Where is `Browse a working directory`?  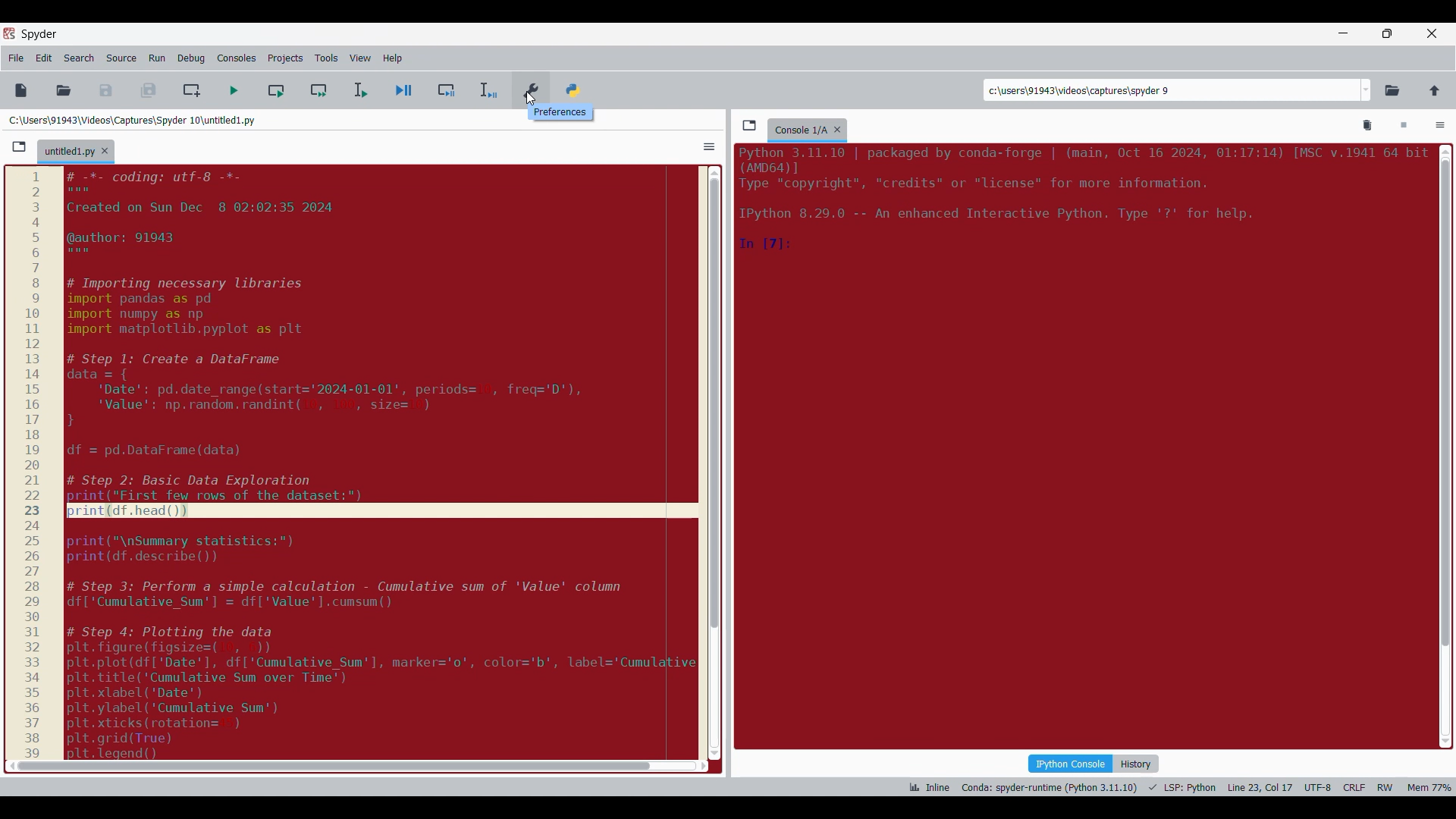 Browse a working directory is located at coordinates (1392, 90).